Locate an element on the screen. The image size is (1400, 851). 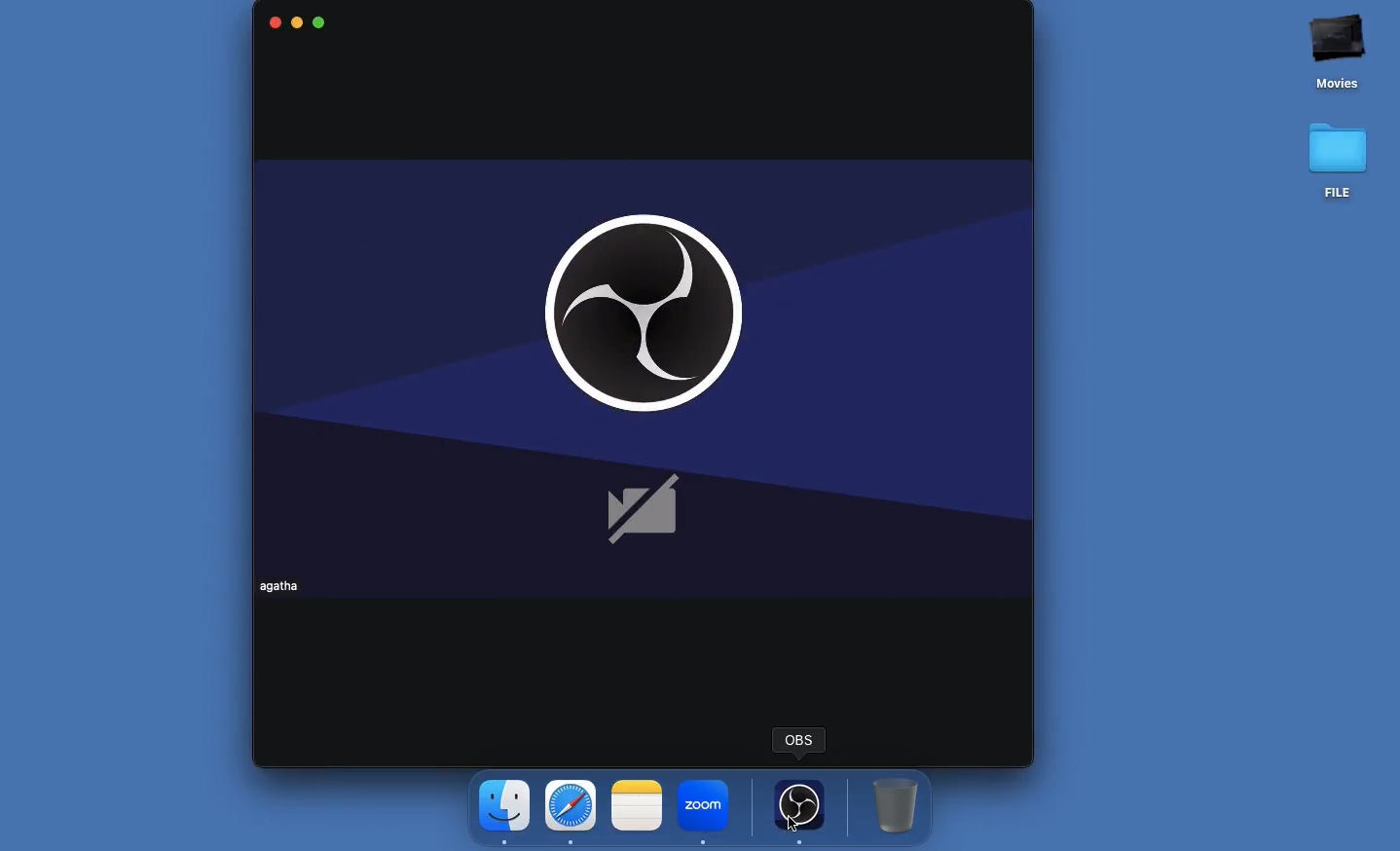
User is located at coordinates (284, 585).